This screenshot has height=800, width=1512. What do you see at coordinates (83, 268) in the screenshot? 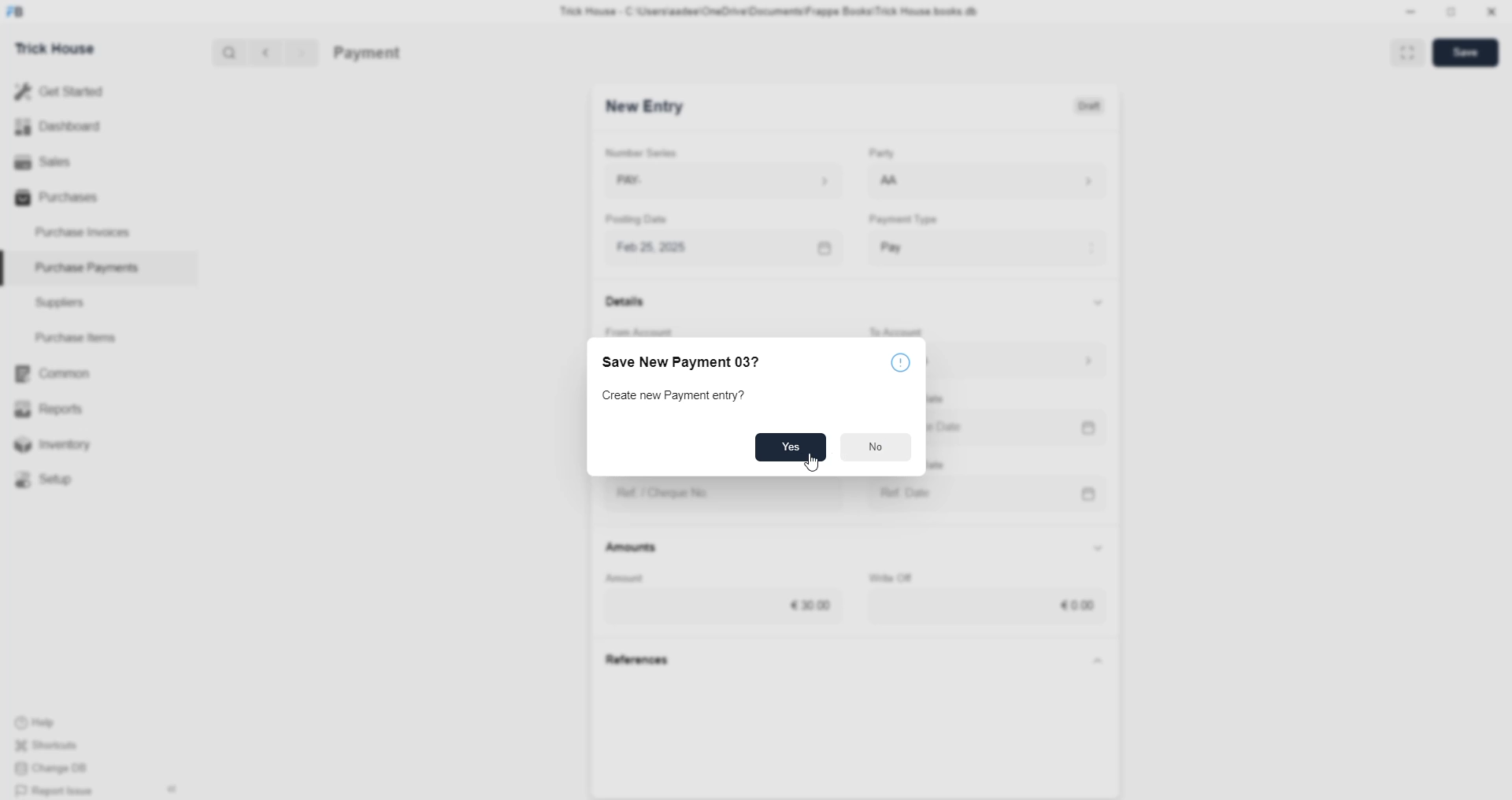
I see `Purchase PaymenTS` at bounding box center [83, 268].